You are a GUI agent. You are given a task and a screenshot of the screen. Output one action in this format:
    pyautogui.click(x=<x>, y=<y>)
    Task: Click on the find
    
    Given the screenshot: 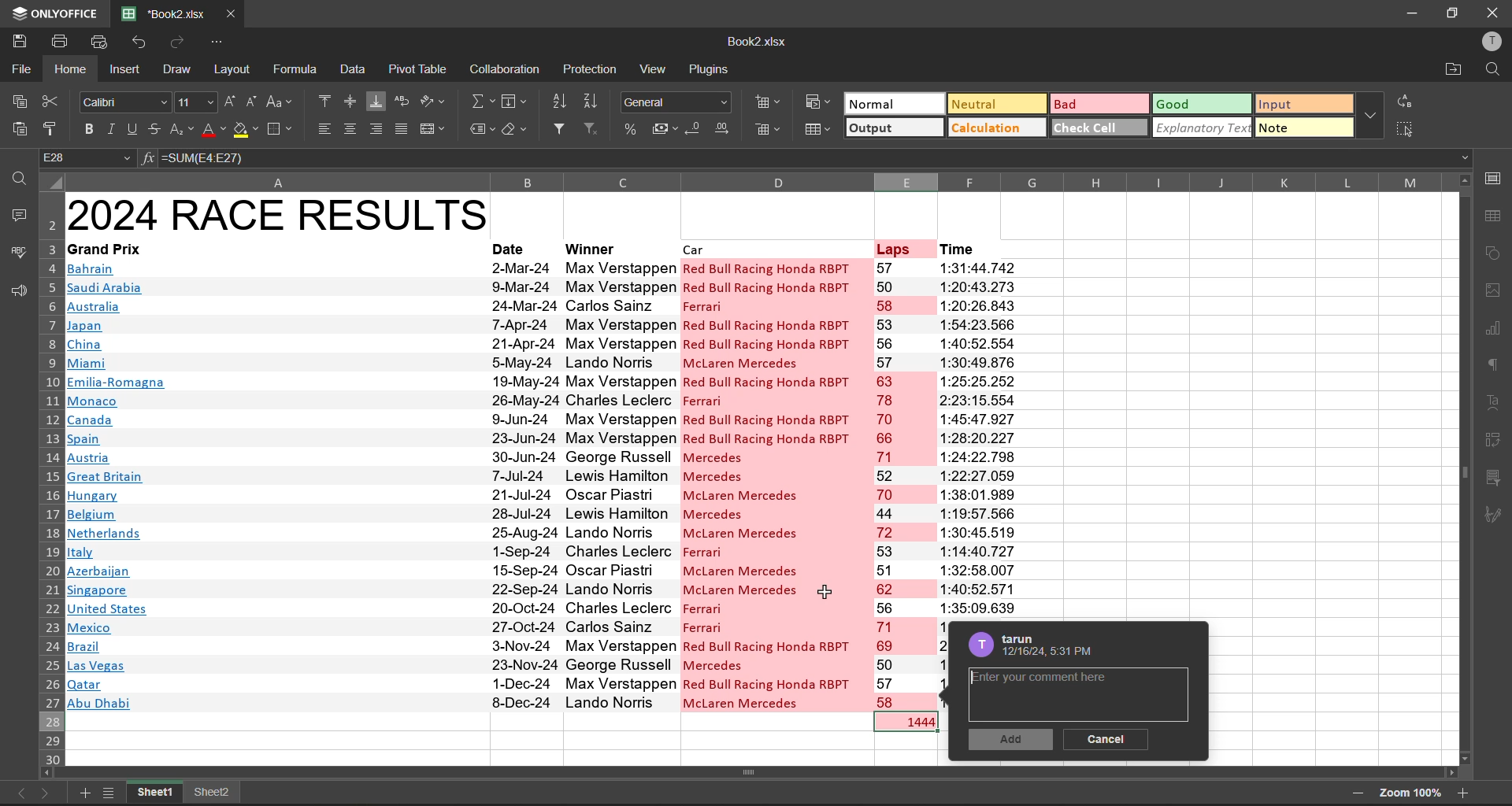 What is the action you would take?
    pyautogui.click(x=1494, y=70)
    